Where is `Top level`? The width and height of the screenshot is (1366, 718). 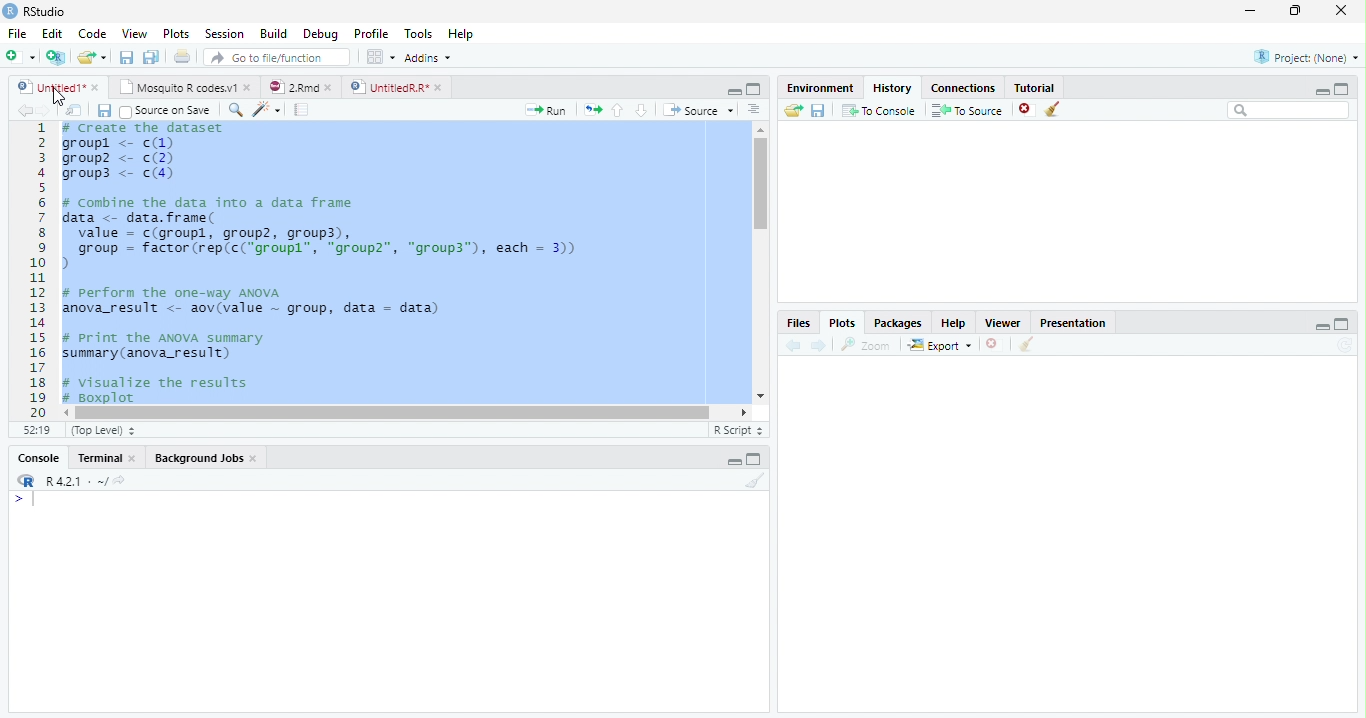 Top level is located at coordinates (107, 433).